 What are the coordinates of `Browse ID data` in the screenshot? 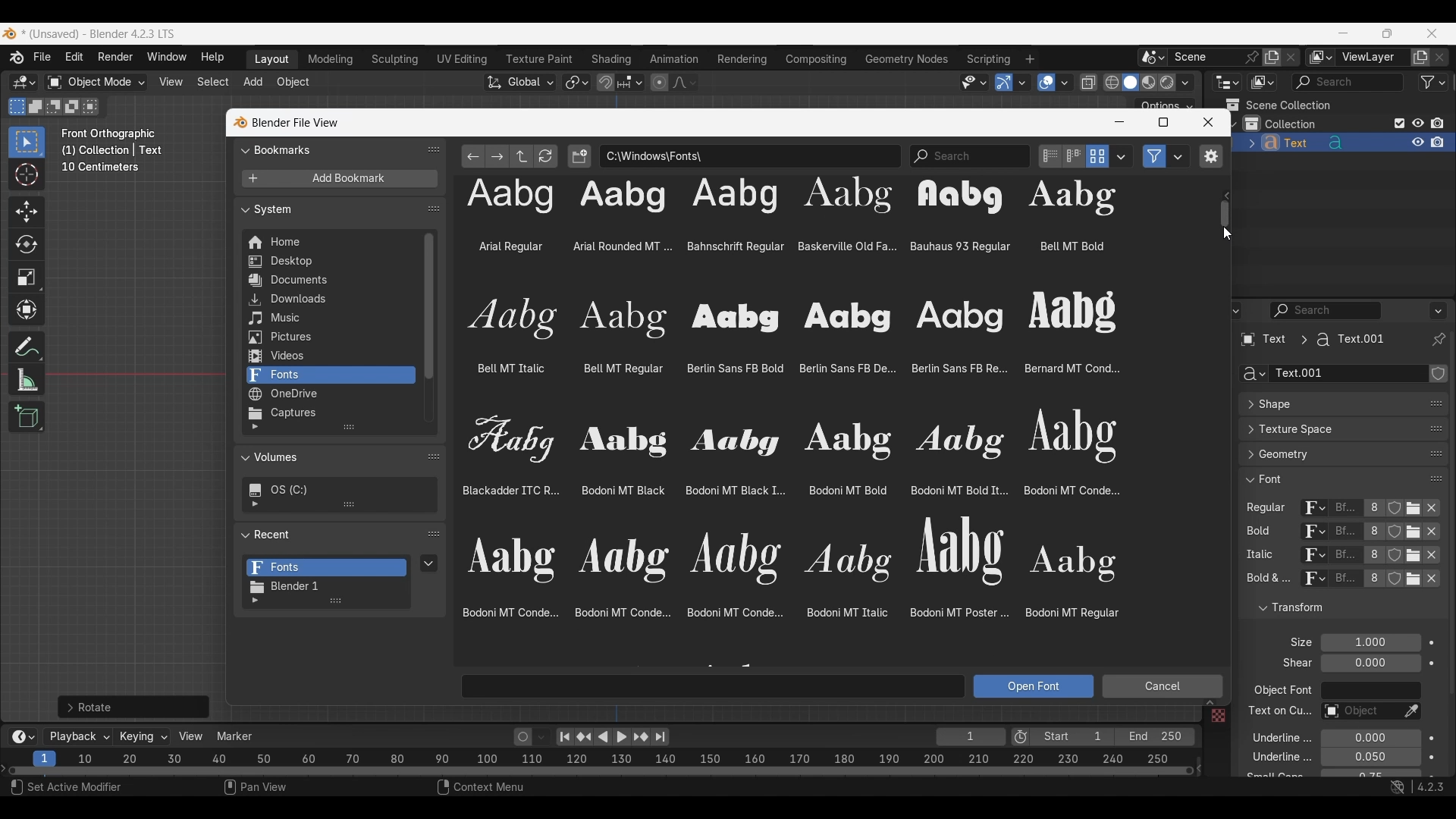 It's located at (1311, 582).